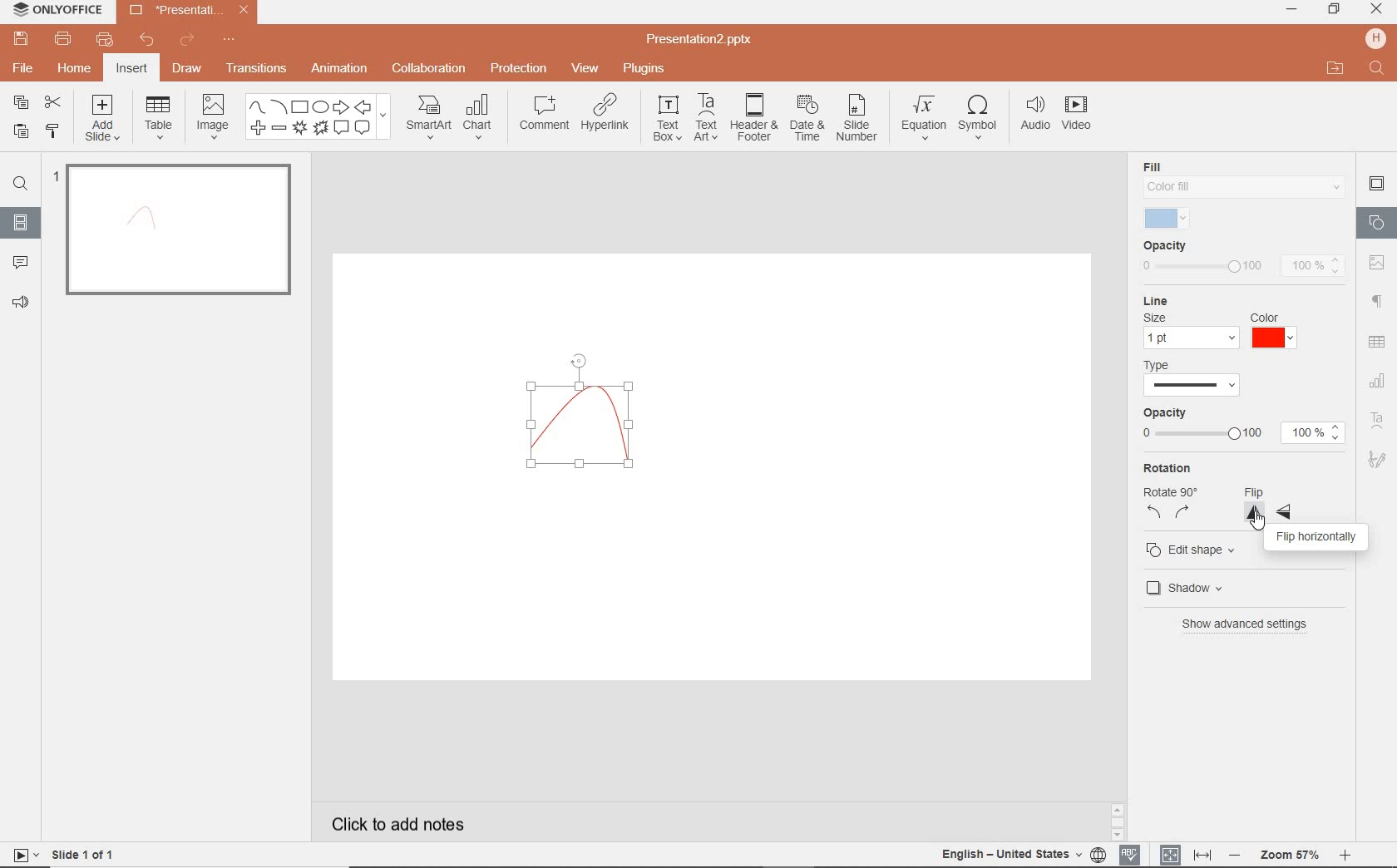  What do you see at coordinates (427, 119) in the screenshot?
I see `SMART ART` at bounding box center [427, 119].